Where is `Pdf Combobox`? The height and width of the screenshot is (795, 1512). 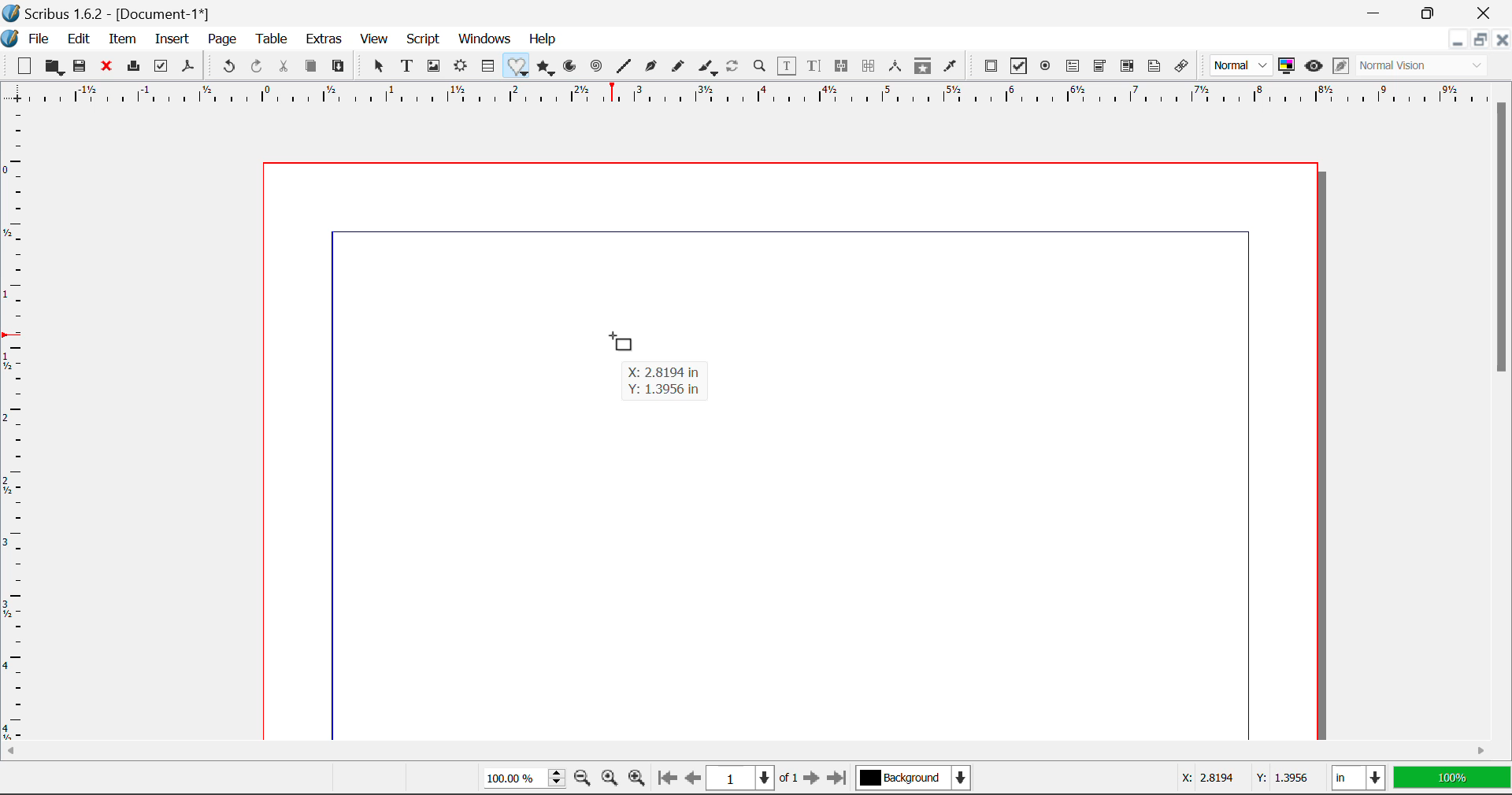 Pdf Combobox is located at coordinates (1101, 68).